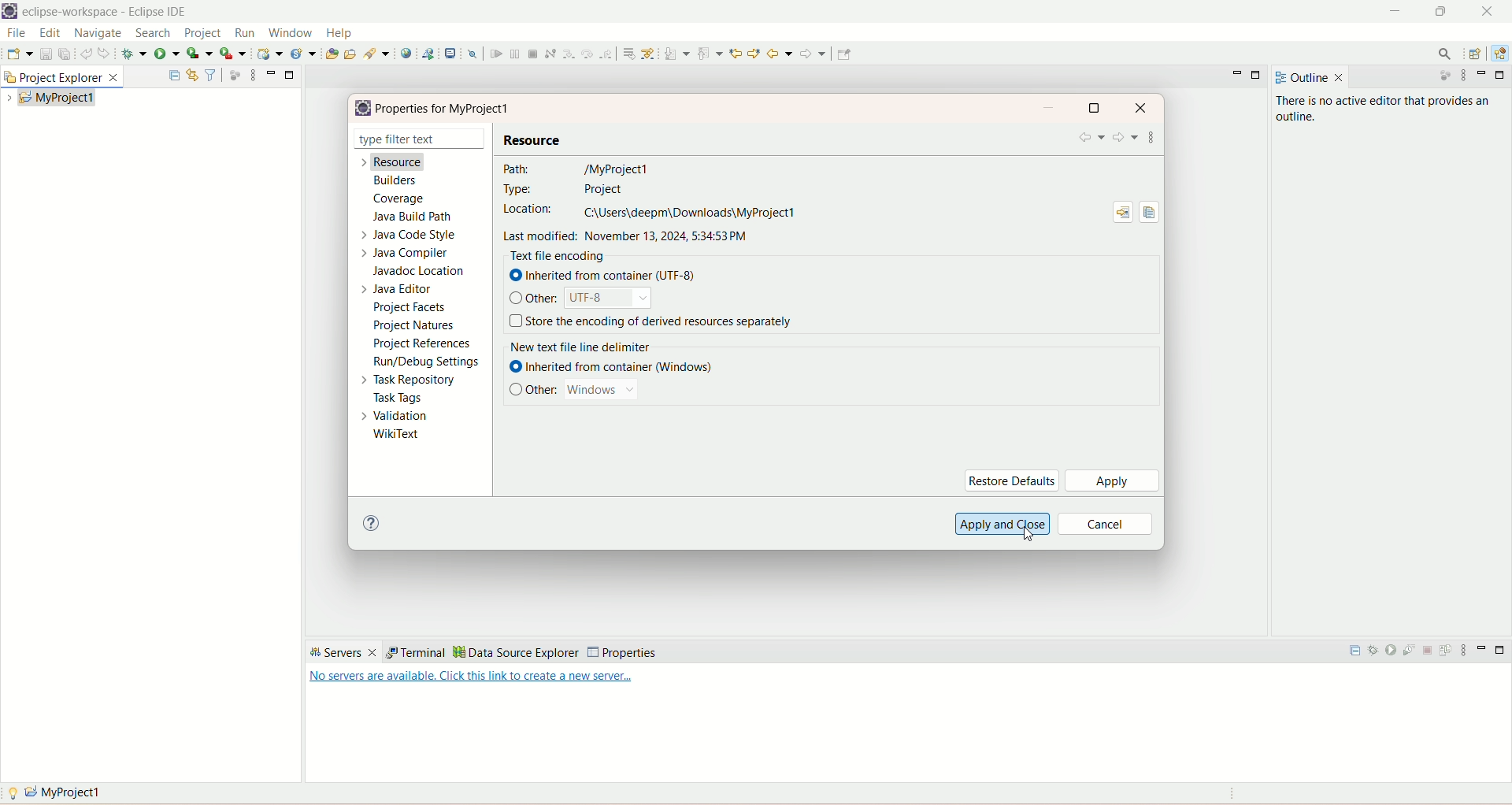 This screenshot has width=1512, height=805. I want to click on help, so click(369, 523).